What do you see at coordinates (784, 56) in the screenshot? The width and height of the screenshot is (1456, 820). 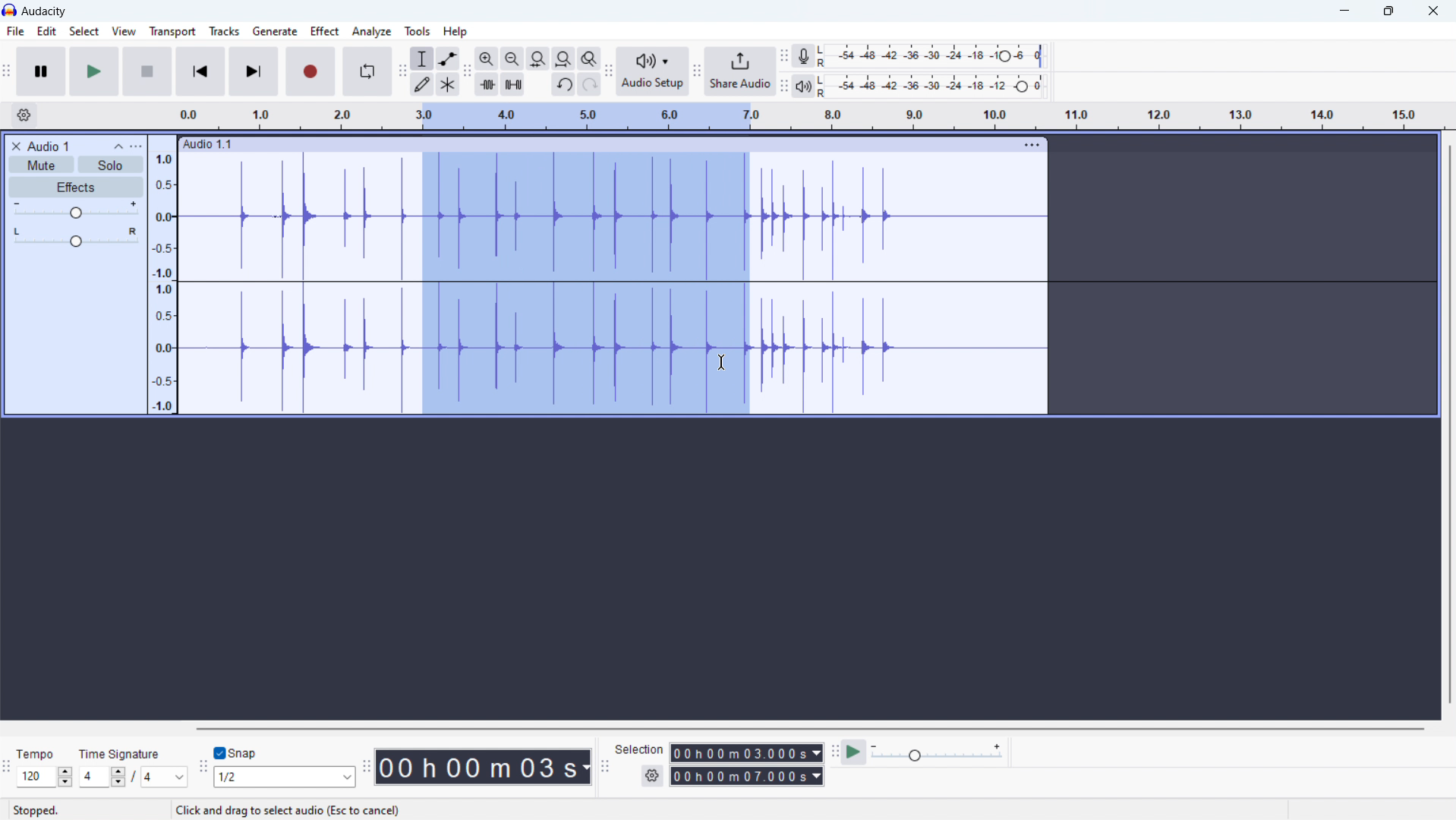 I see `recording meter toolbar` at bounding box center [784, 56].